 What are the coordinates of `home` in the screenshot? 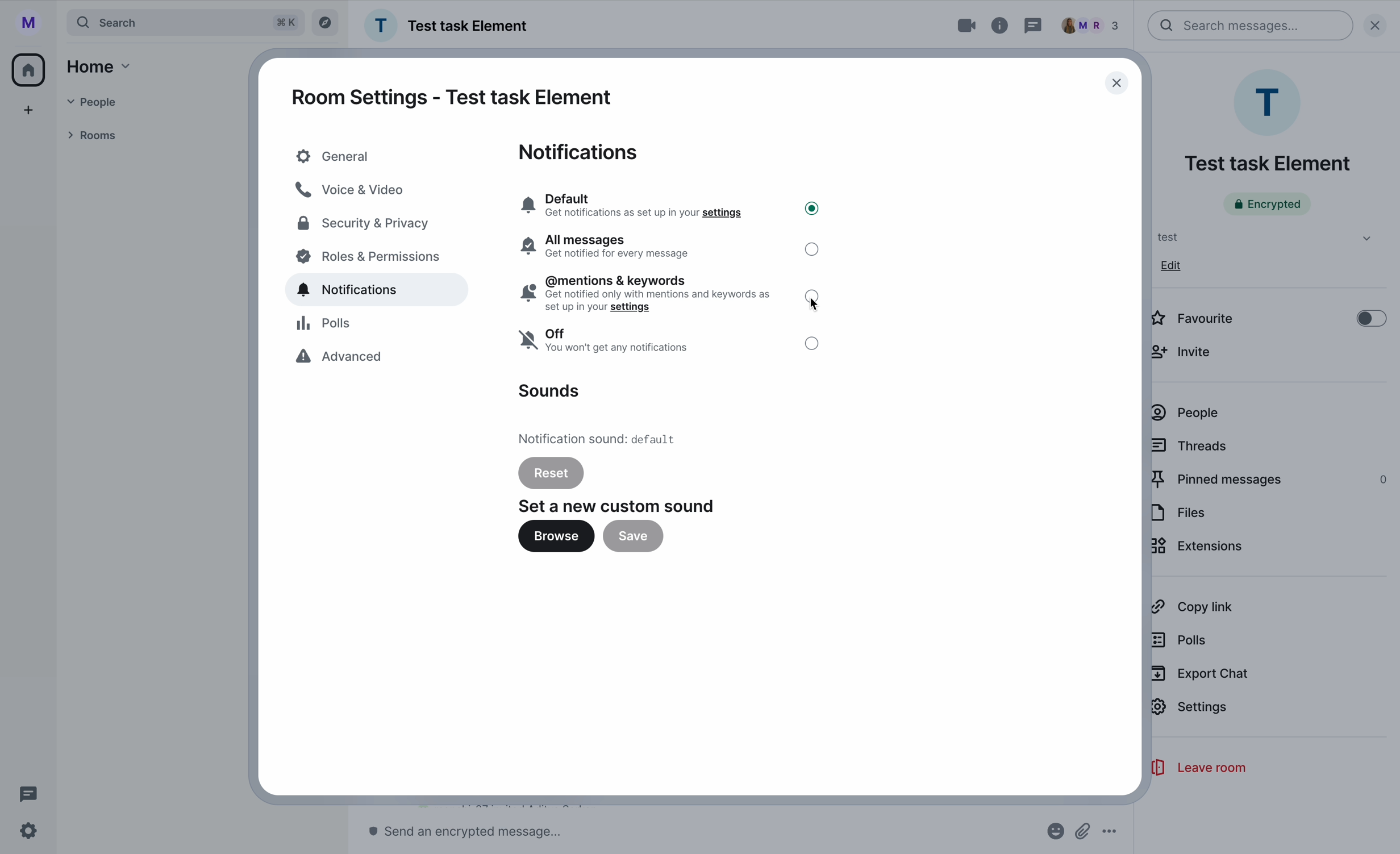 It's located at (101, 66).